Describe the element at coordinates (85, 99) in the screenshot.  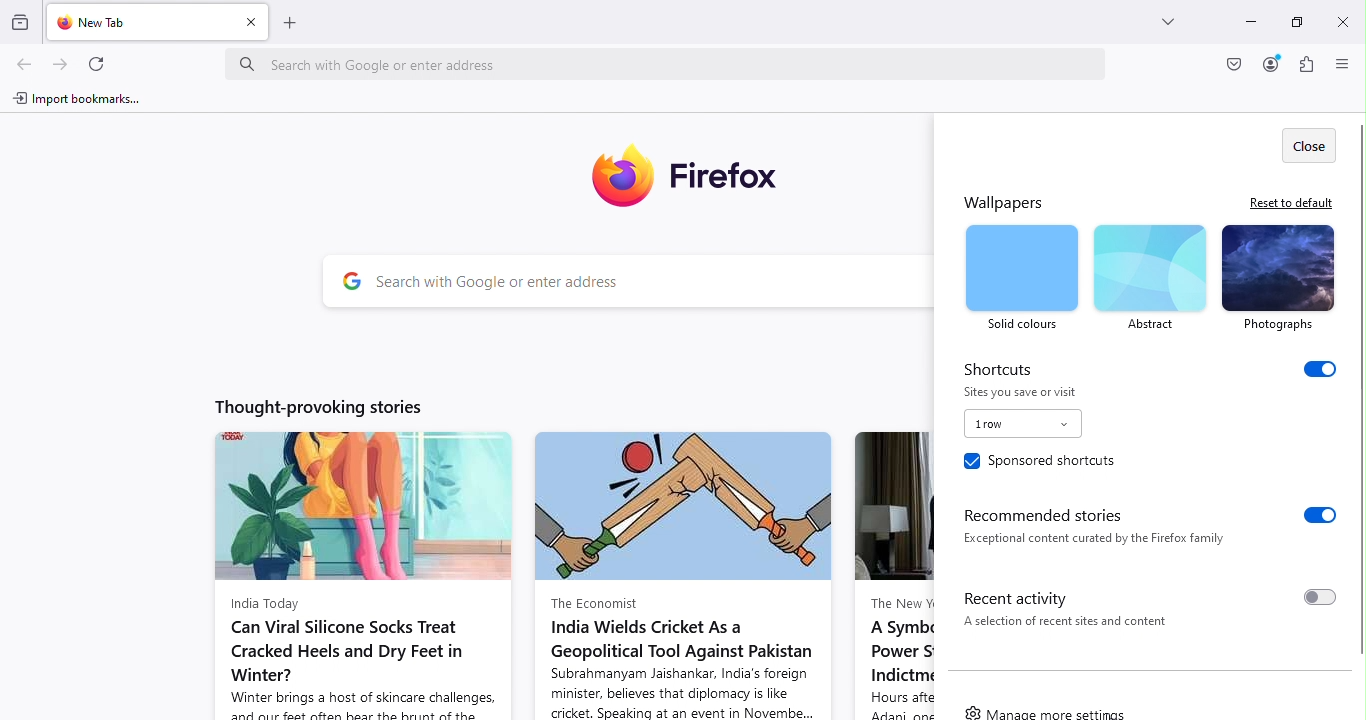
I see `Import bookmarks` at that location.